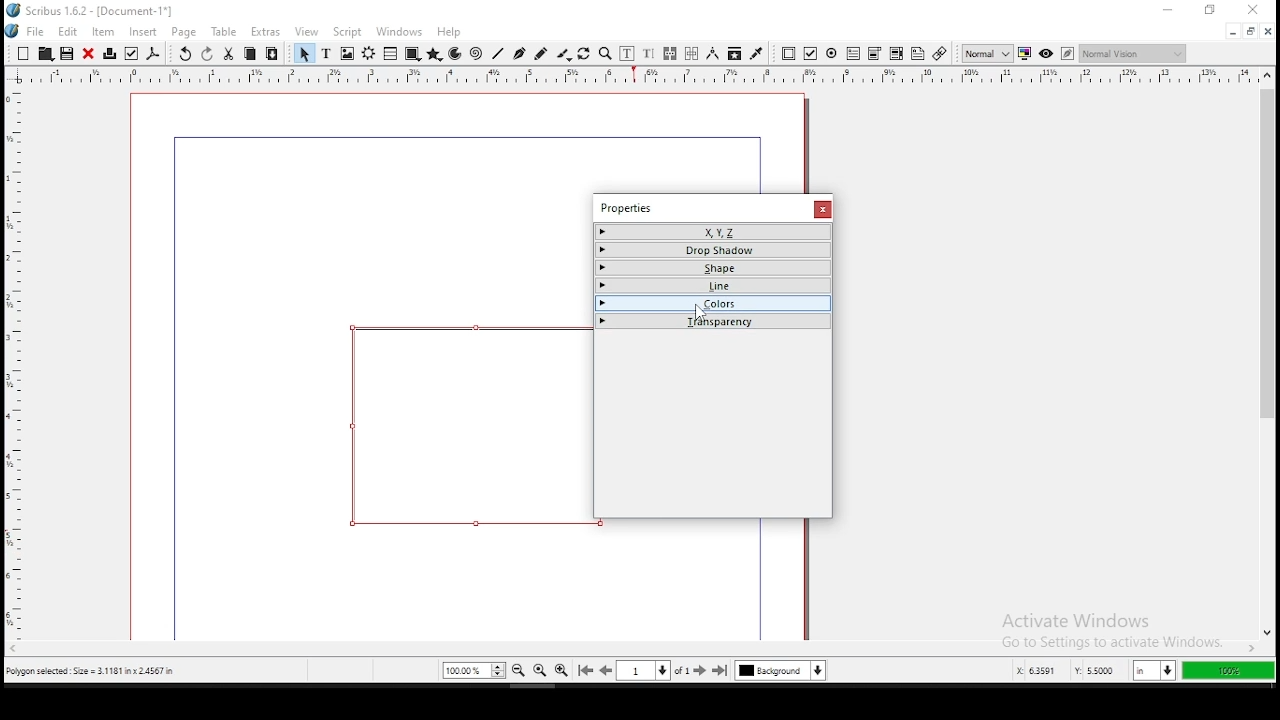 This screenshot has height=720, width=1280. I want to click on calligraphy line, so click(564, 54).